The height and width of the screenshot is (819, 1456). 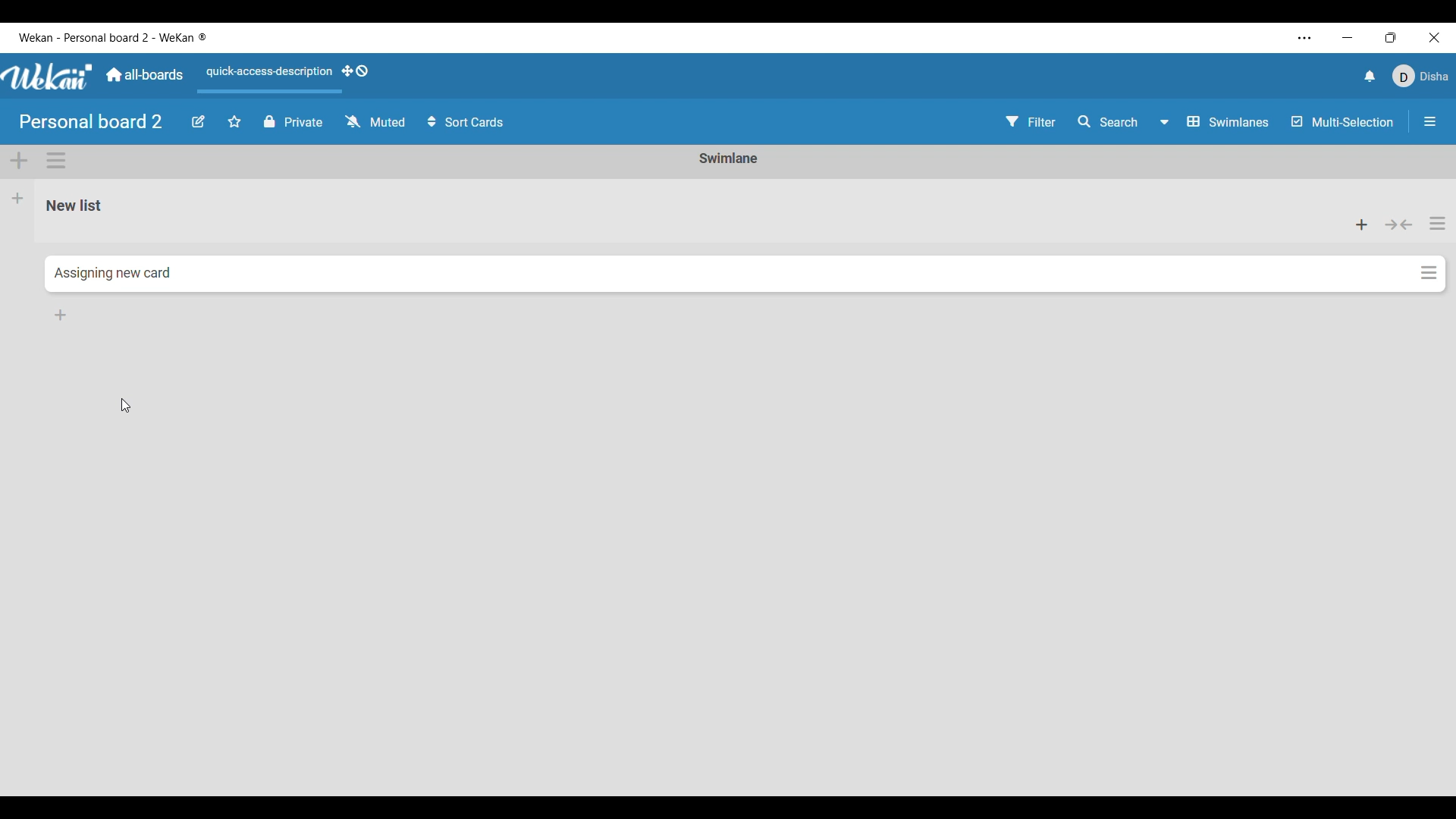 What do you see at coordinates (1348, 38) in the screenshot?
I see `Minimize` at bounding box center [1348, 38].